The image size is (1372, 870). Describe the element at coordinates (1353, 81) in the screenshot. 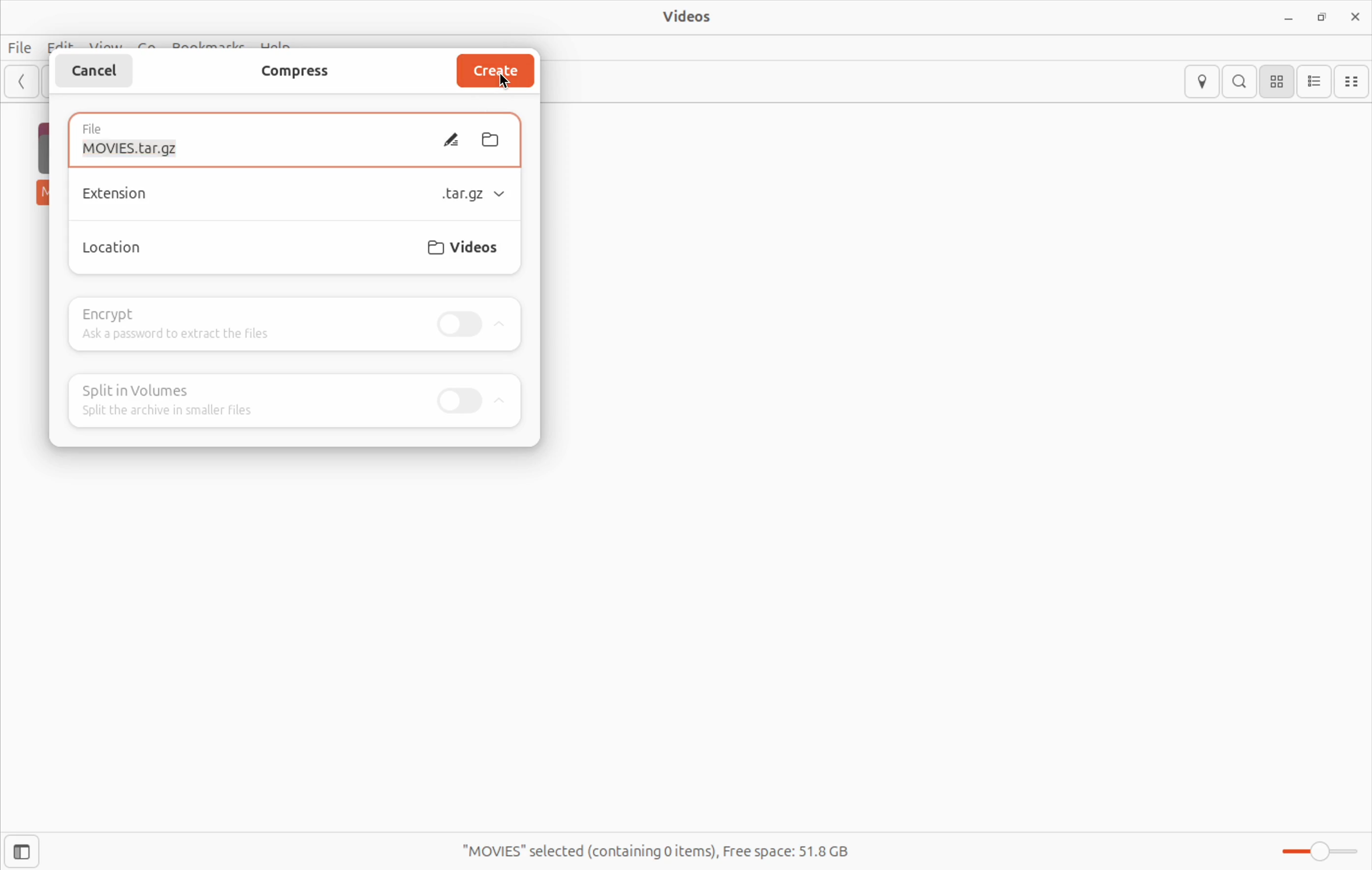

I see `compact view` at that location.